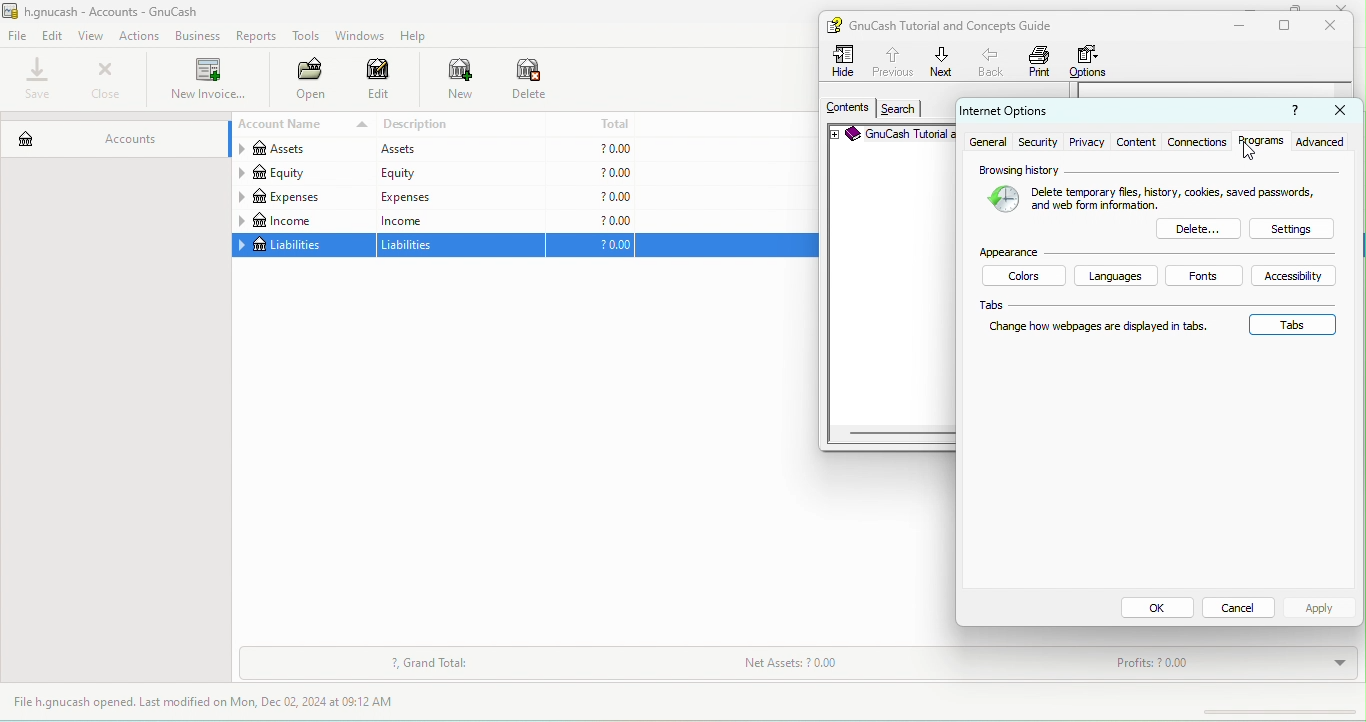 This screenshot has height=722, width=1366. What do you see at coordinates (853, 666) in the screenshot?
I see `net assets ?0.00` at bounding box center [853, 666].